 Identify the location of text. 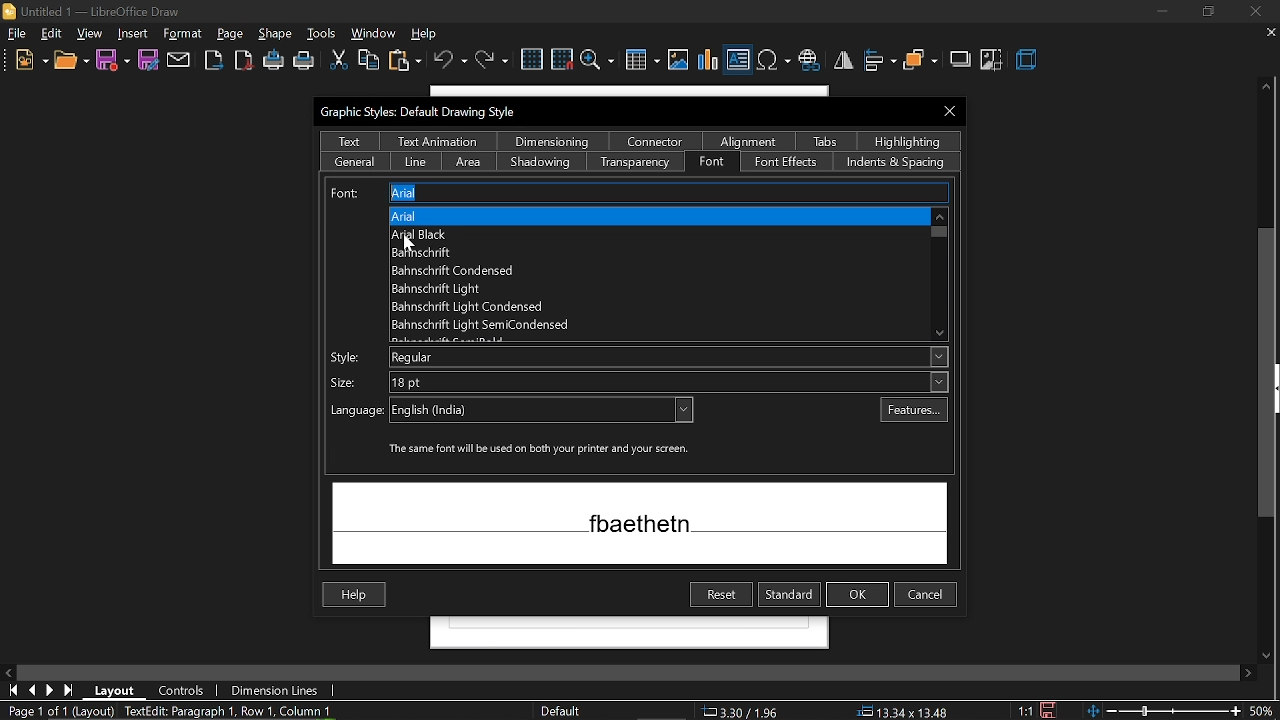
(348, 141).